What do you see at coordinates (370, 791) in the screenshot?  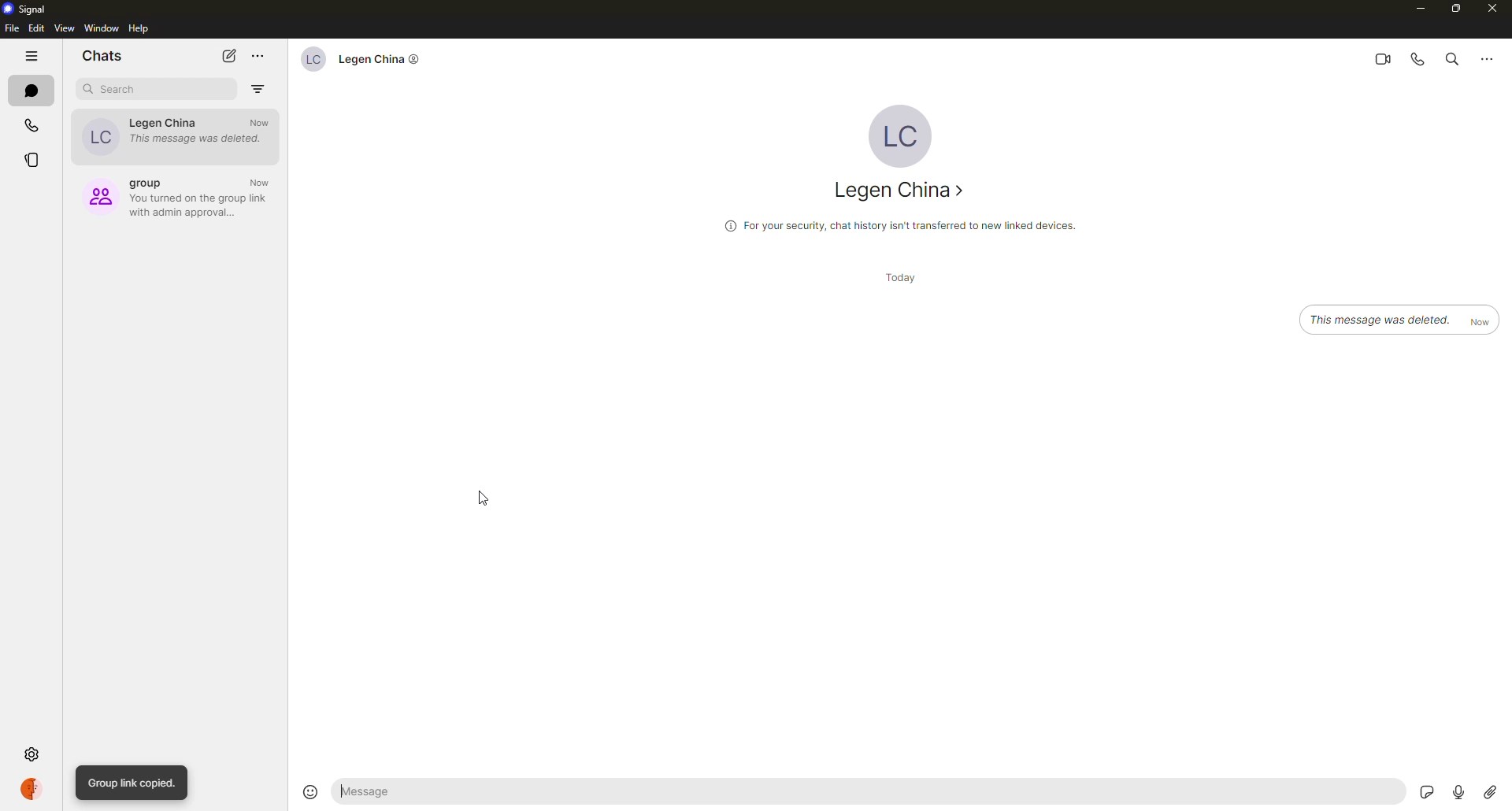 I see `message` at bounding box center [370, 791].